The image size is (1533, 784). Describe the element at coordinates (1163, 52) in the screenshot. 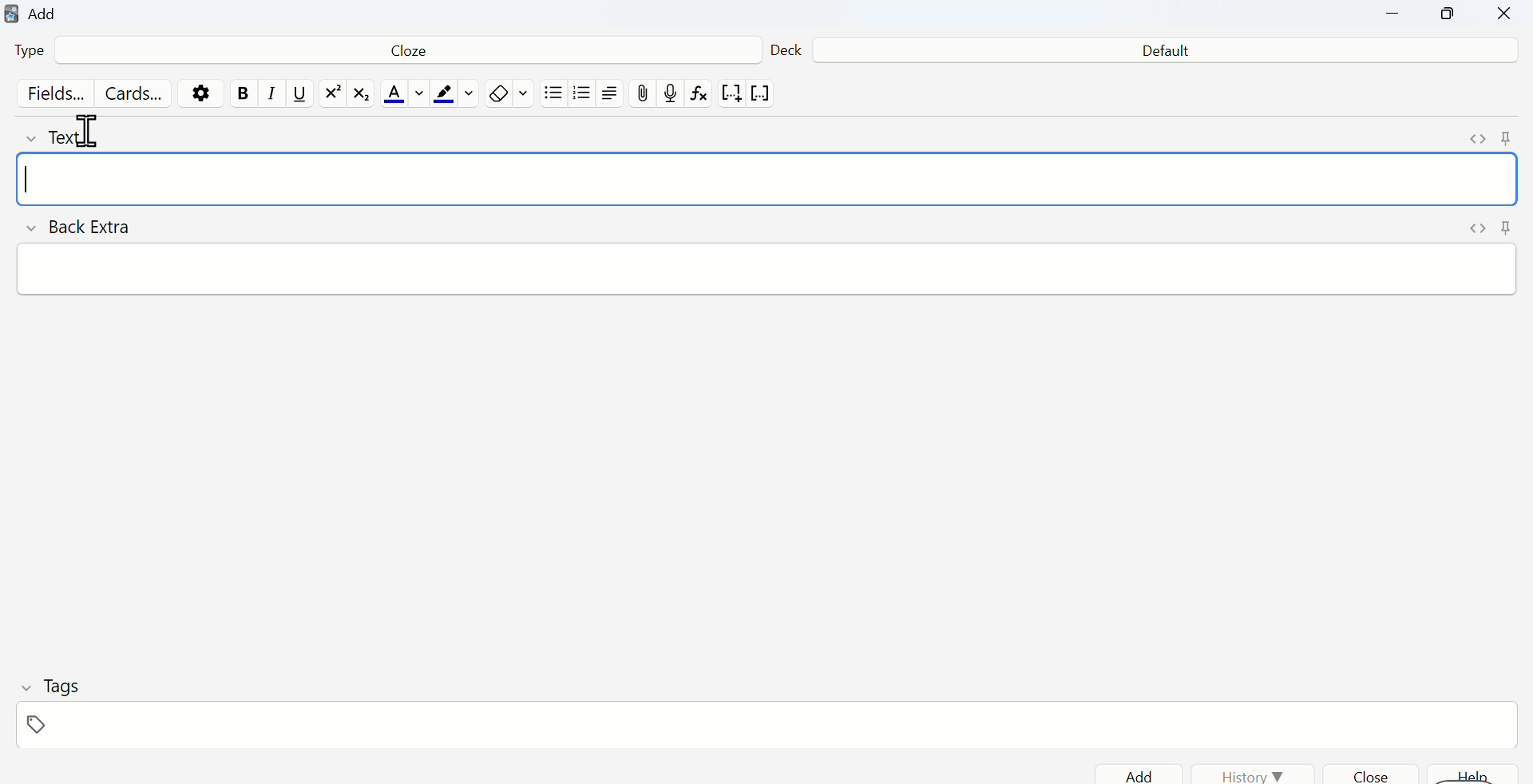

I see `Default` at that location.